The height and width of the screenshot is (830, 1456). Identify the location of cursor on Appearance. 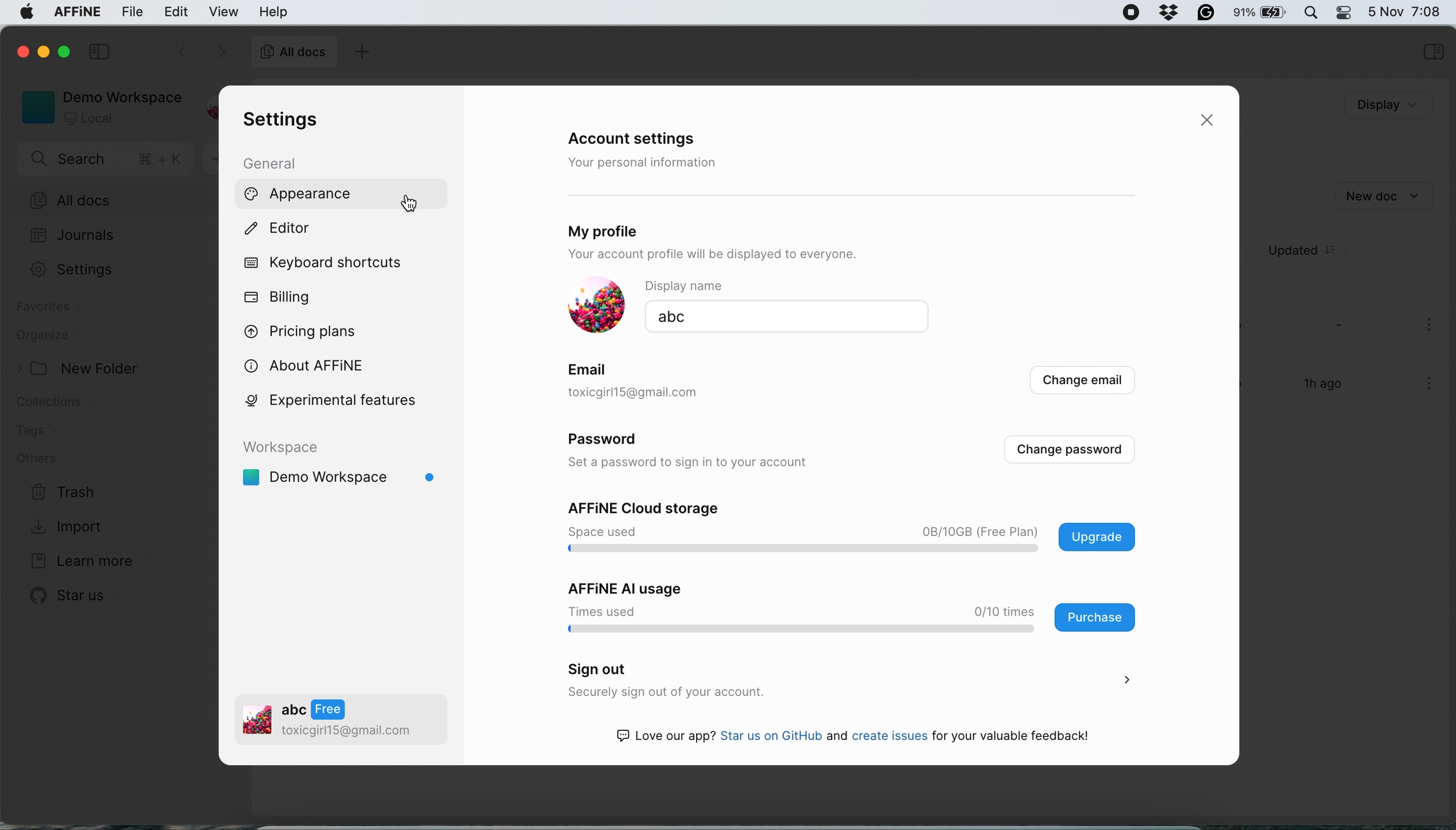
(413, 204).